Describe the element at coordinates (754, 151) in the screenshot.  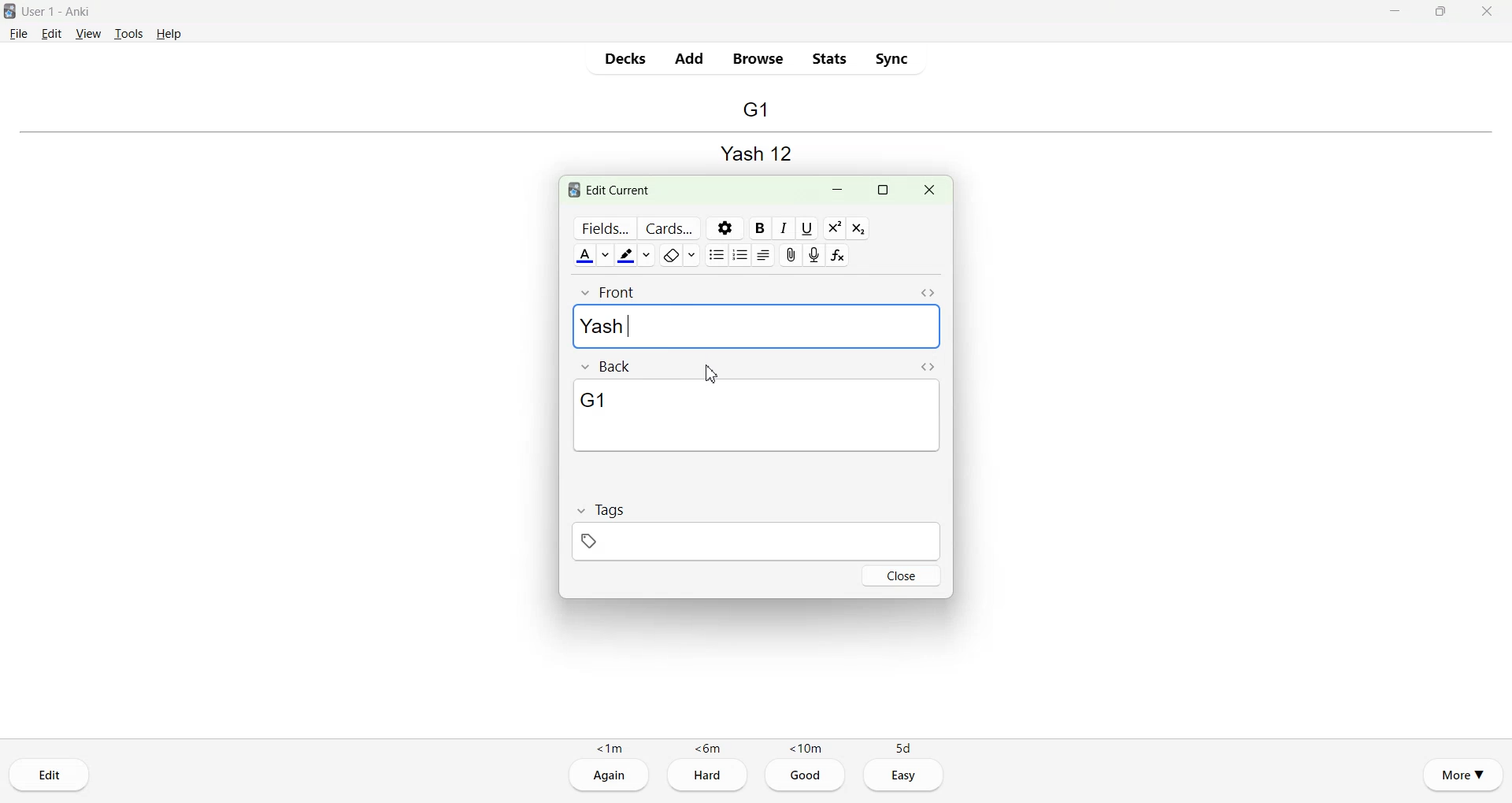
I see `Front file name` at that location.